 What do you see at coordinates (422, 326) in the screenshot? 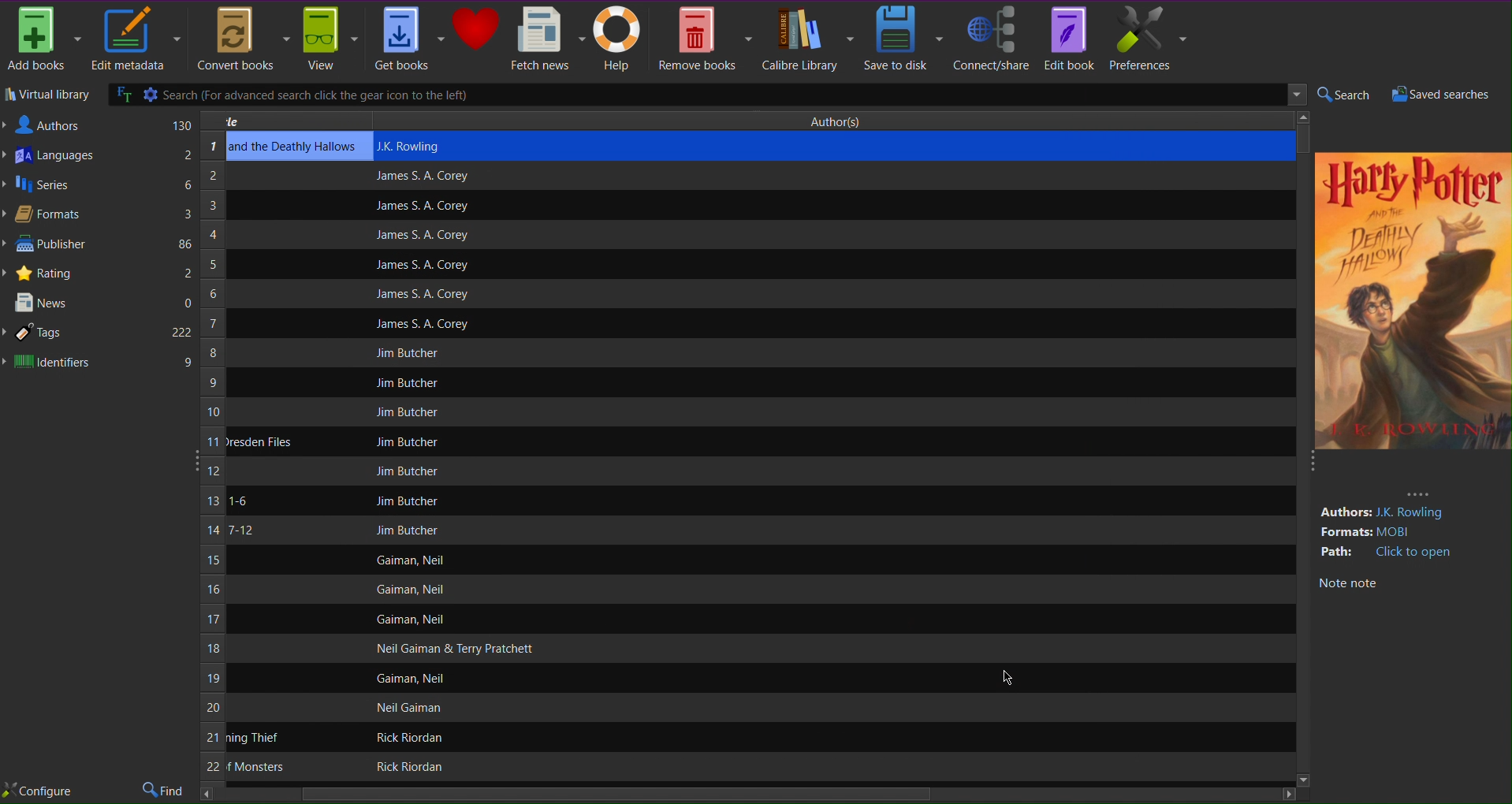
I see `James S. A. Corey` at bounding box center [422, 326].